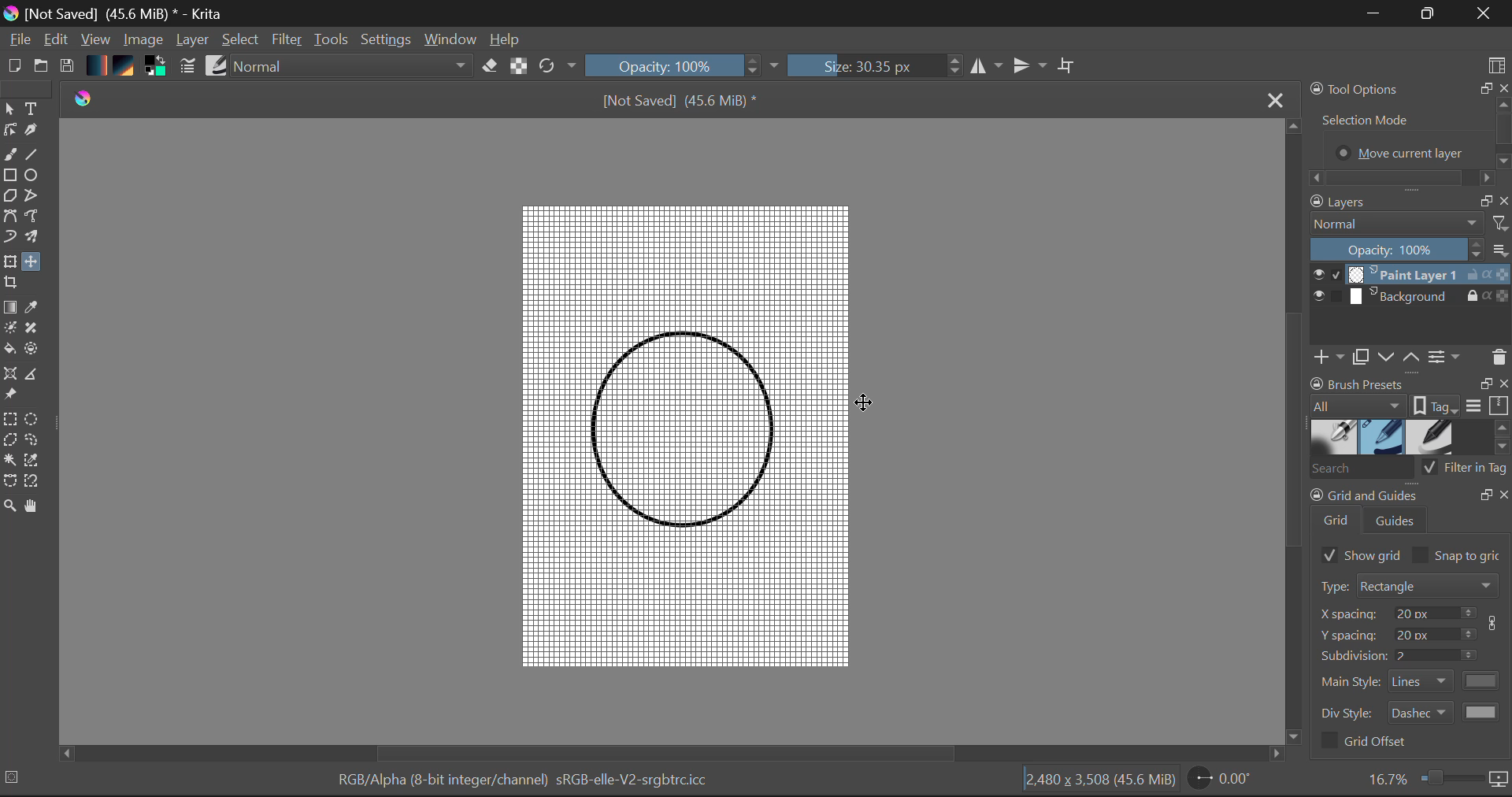 This screenshot has height=797, width=1512. I want to click on Gradient, so click(98, 65).